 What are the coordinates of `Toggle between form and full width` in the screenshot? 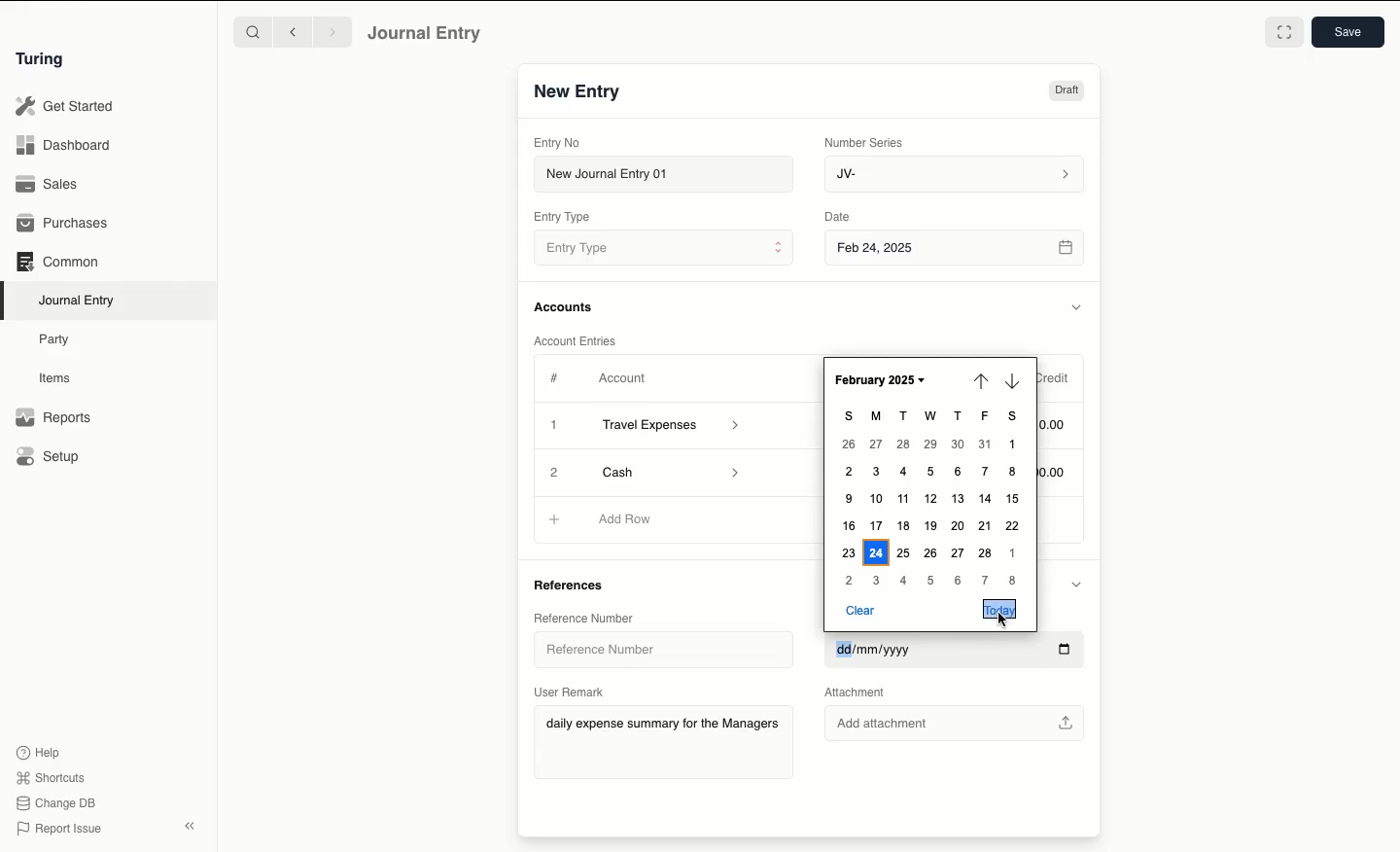 It's located at (1284, 32).